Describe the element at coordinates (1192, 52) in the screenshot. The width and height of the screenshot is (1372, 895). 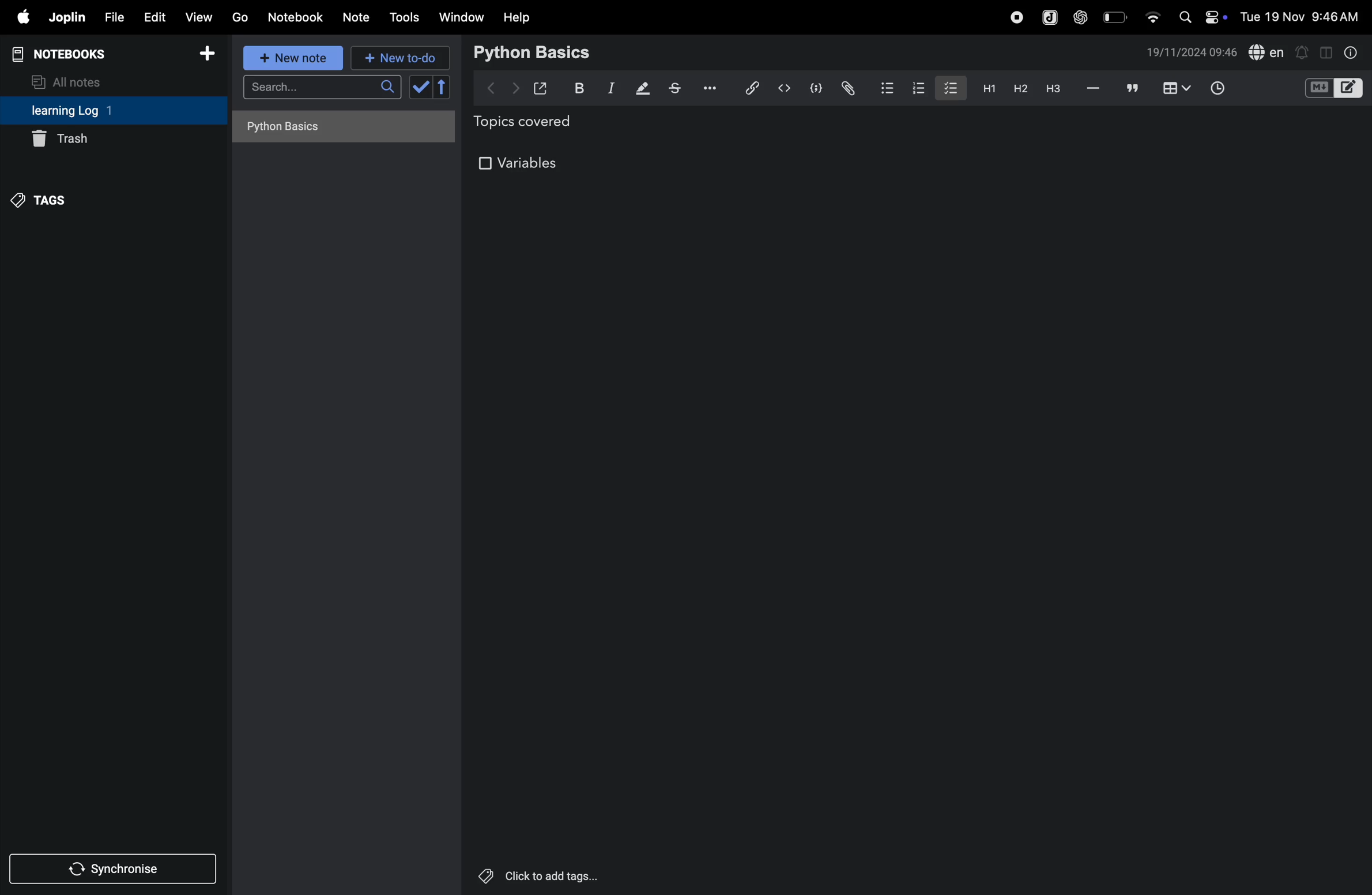
I see `date and time` at that location.